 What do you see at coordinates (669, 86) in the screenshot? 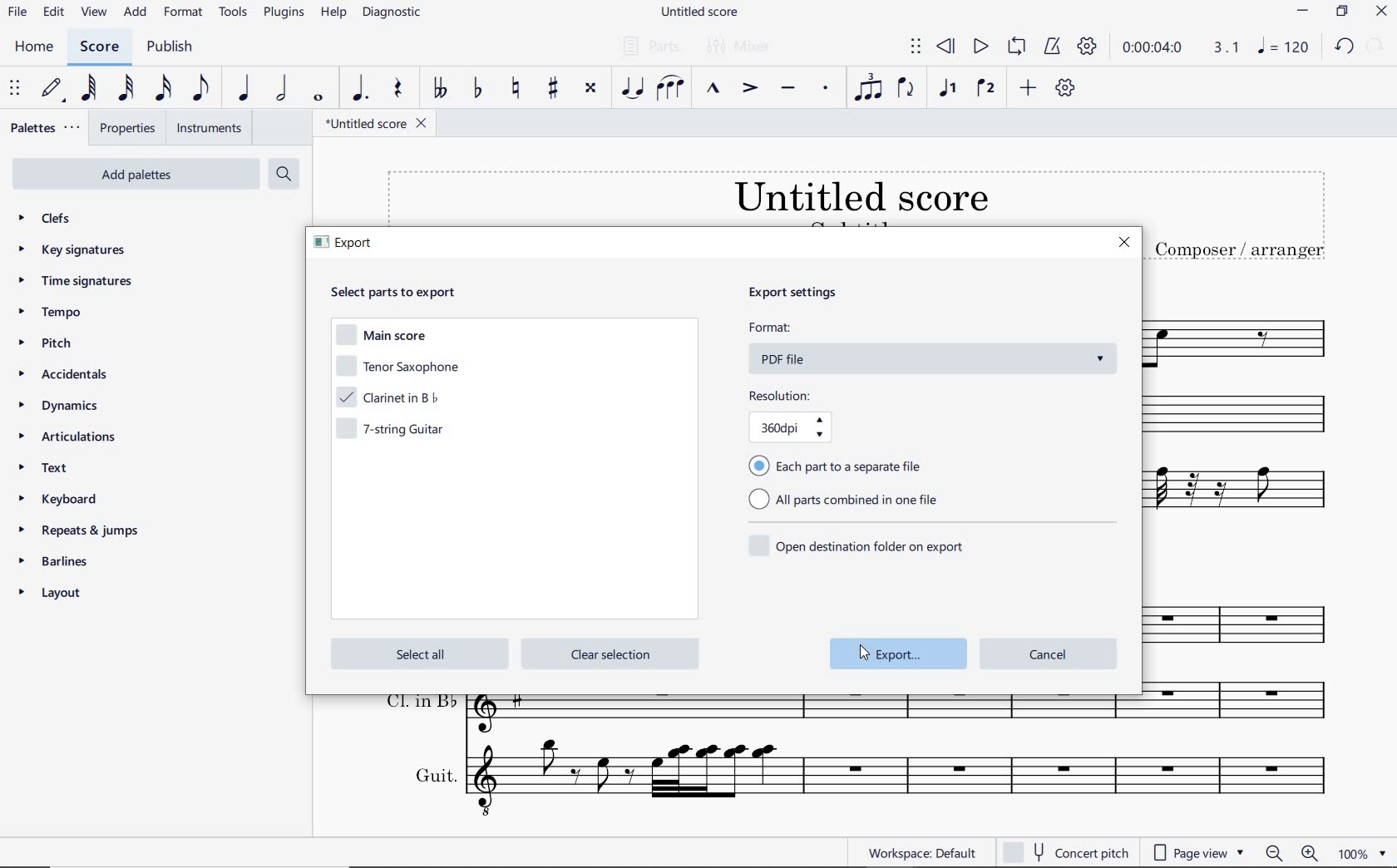
I see `SLUR` at bounding box center [669, 86].